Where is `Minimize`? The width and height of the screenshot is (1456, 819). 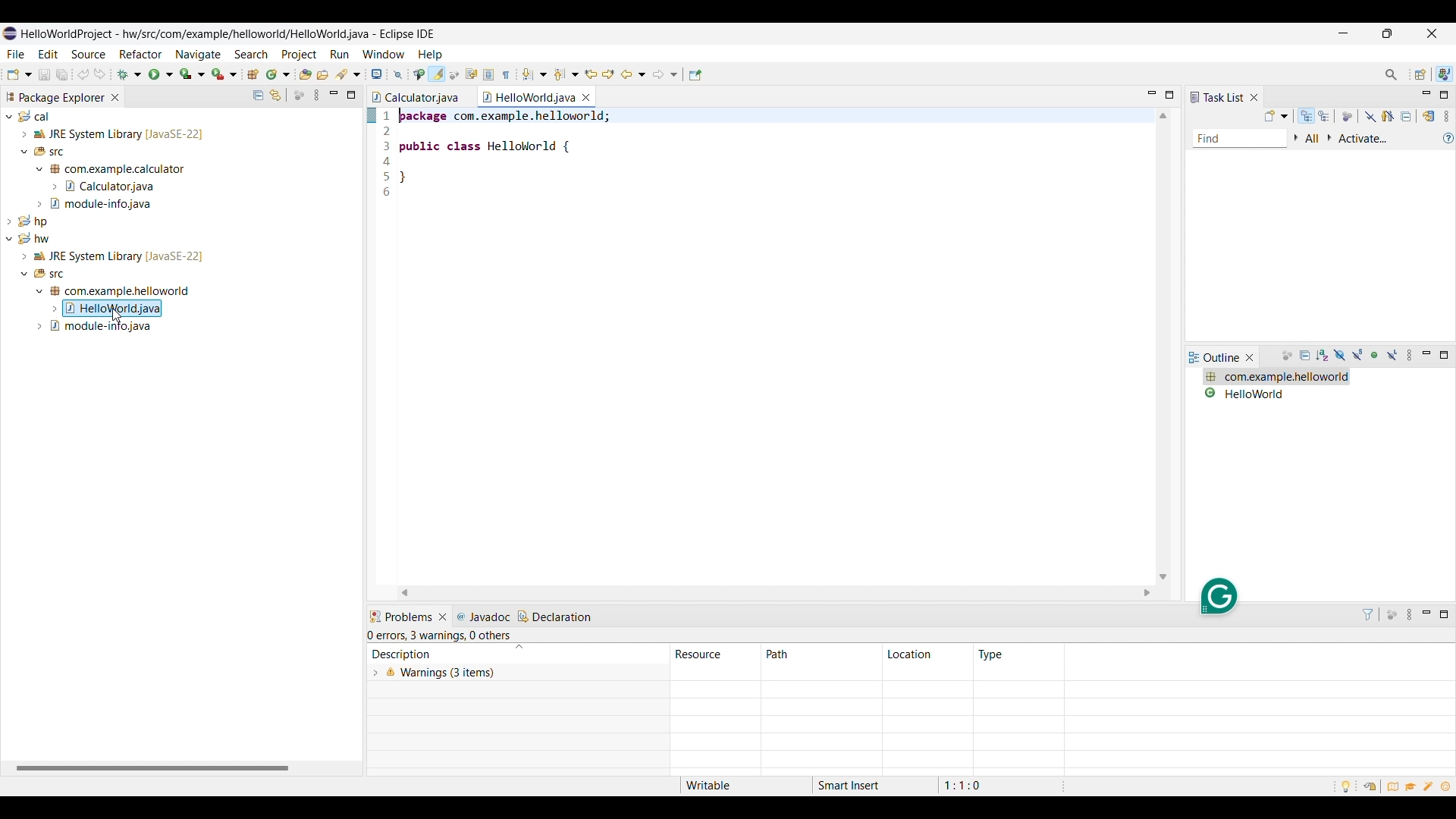 Minimize is located at coordinates (1426, 355).